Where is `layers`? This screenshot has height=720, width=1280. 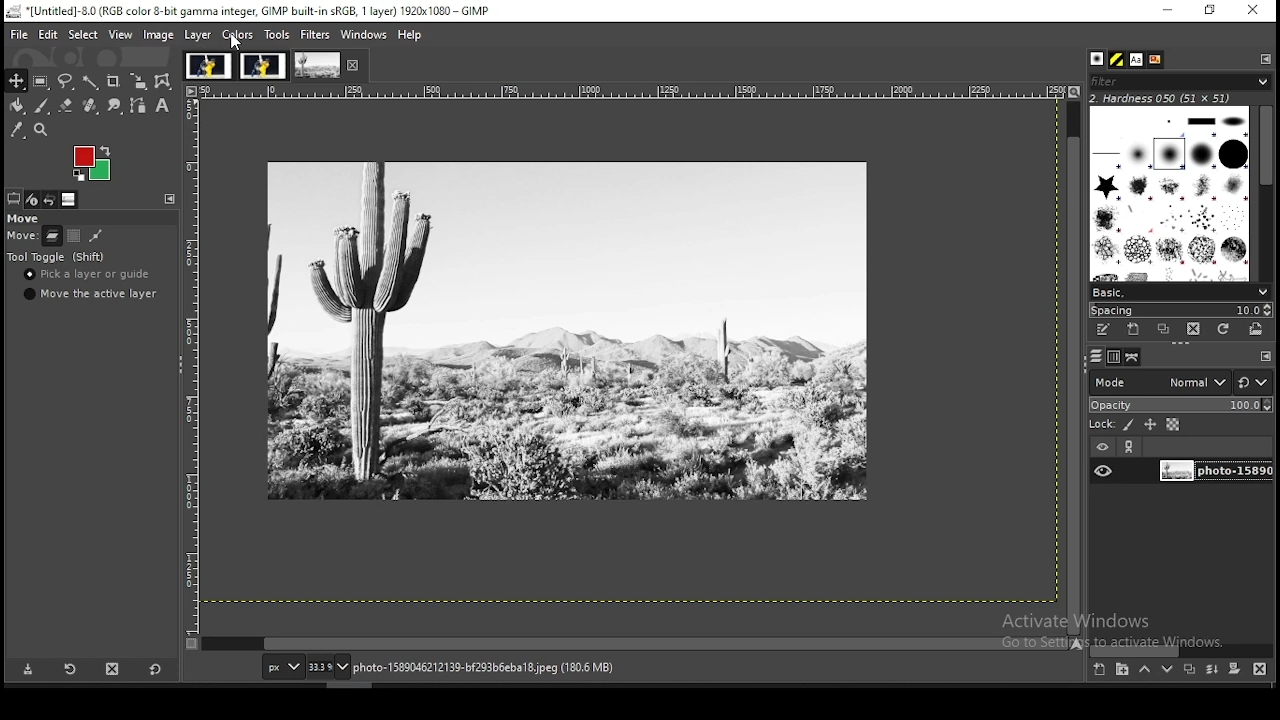 layers is located at coordinates (1096, 357).